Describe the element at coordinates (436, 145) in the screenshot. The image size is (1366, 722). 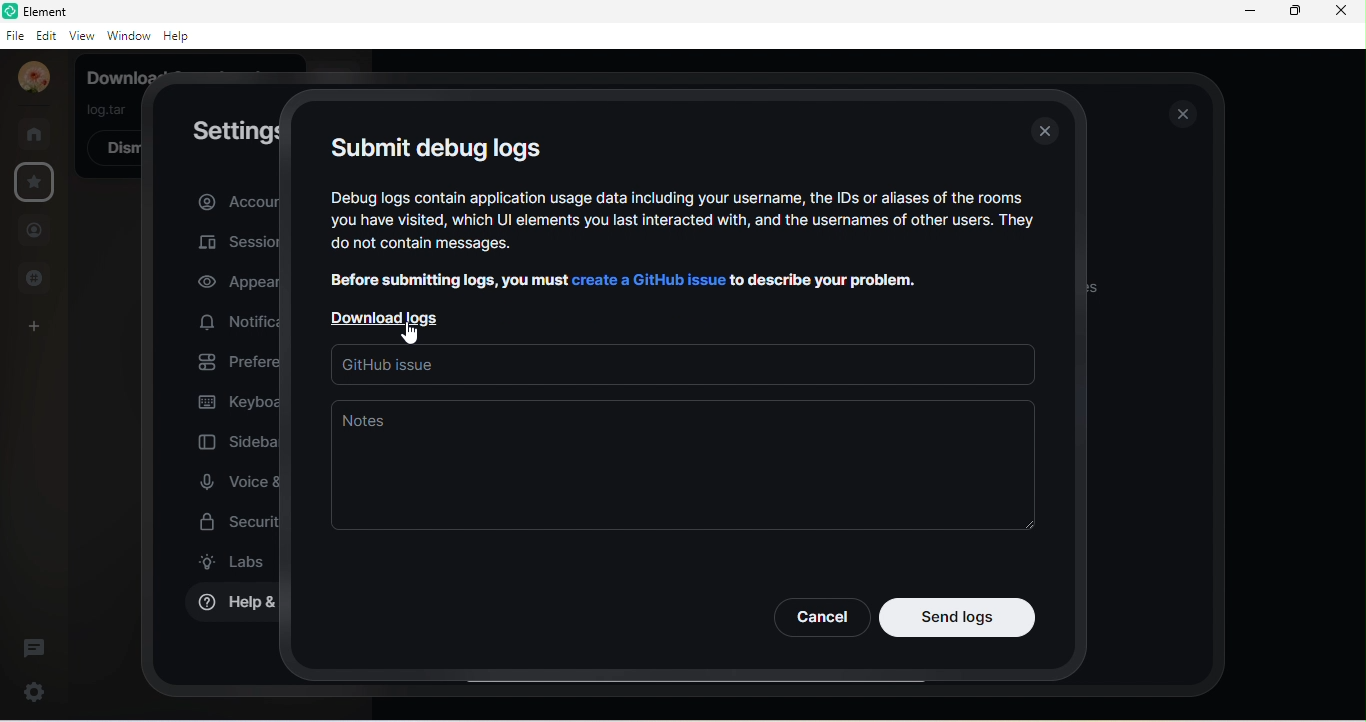
I see `submit debug logs` at that location.